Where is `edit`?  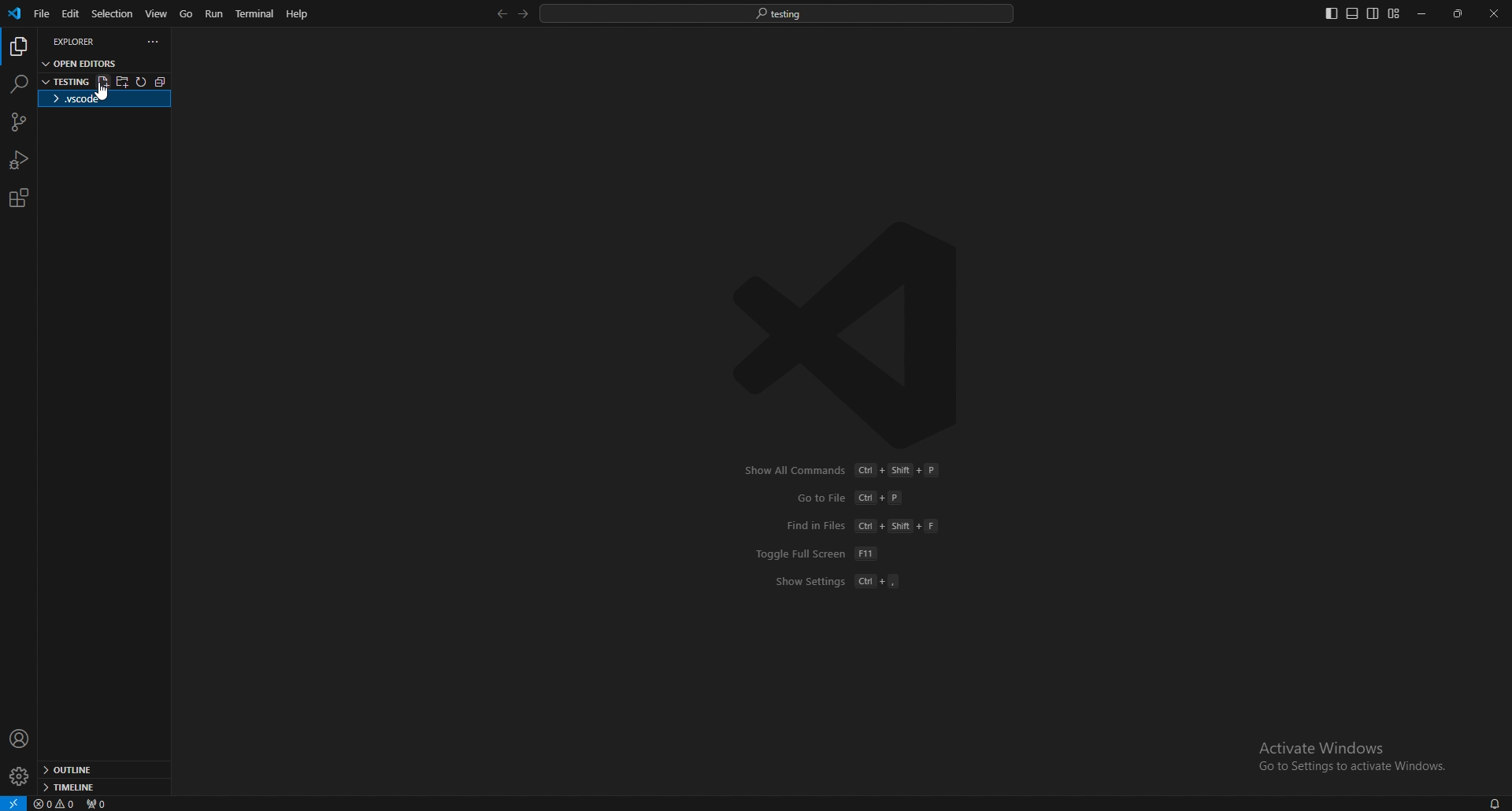 edit is located at coordinates (69, 14).